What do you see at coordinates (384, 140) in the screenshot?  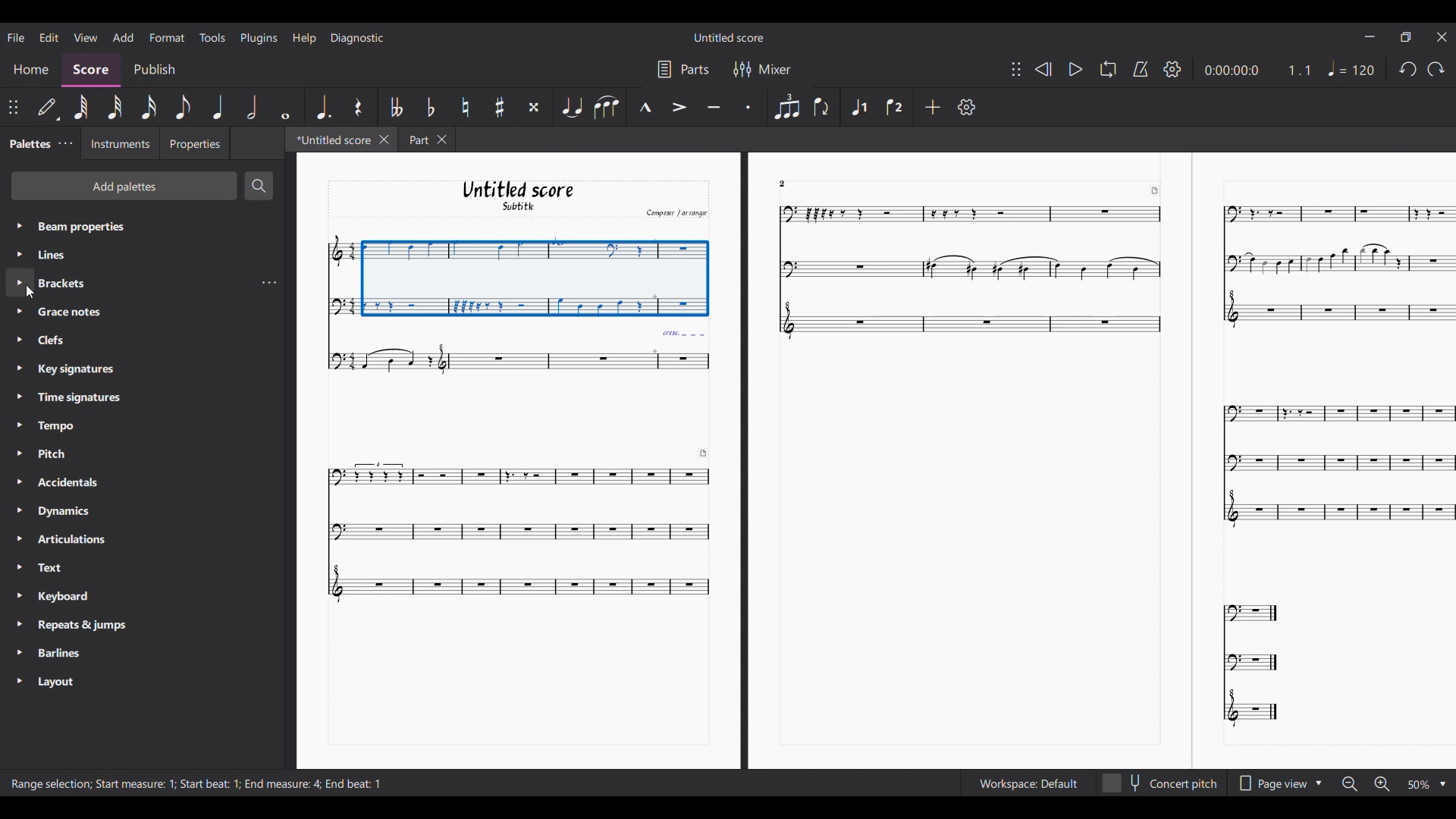 I see `Close` at bounding box center [384, 140].